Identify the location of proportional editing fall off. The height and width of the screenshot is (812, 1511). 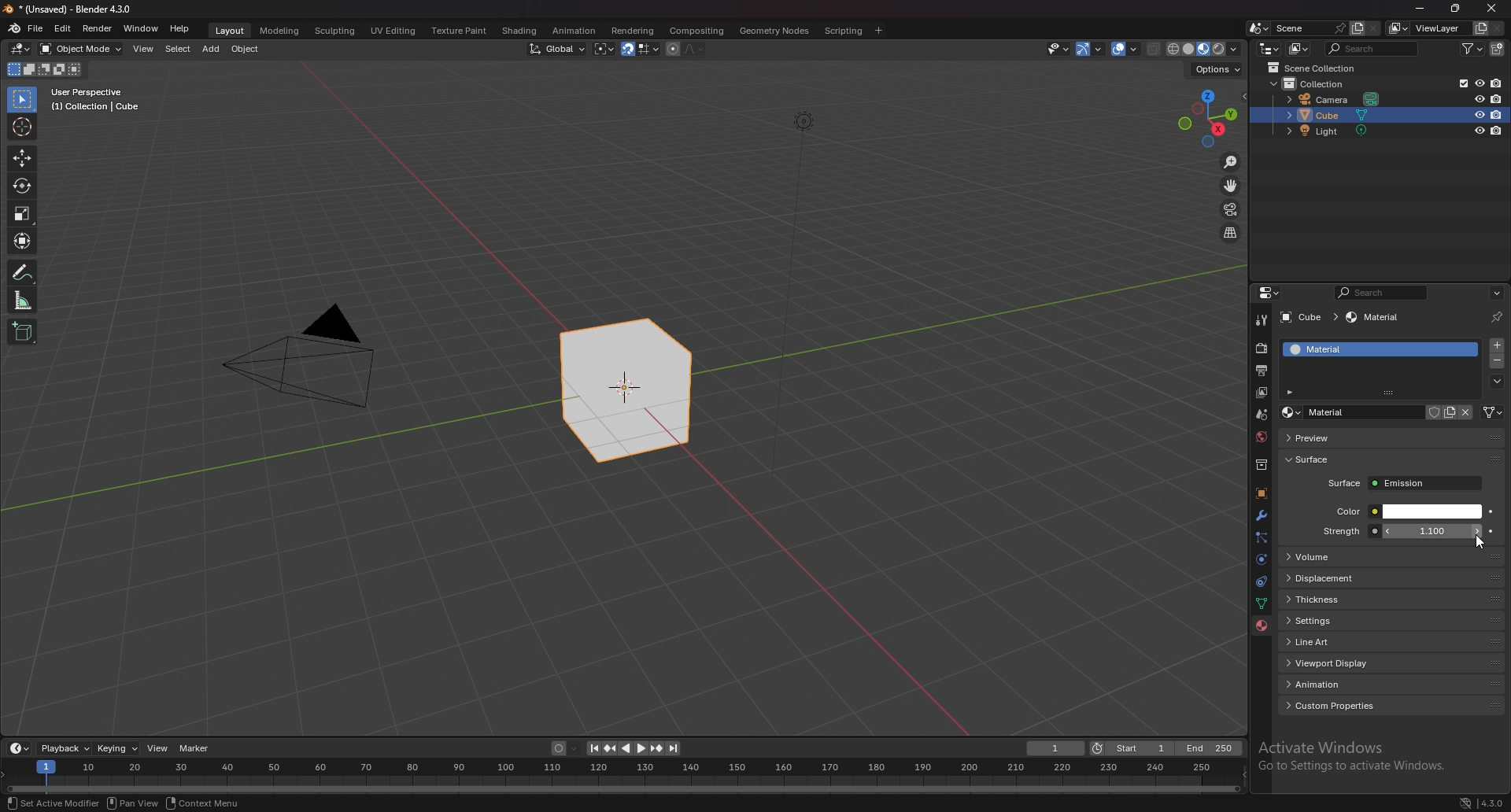
(691, 48).